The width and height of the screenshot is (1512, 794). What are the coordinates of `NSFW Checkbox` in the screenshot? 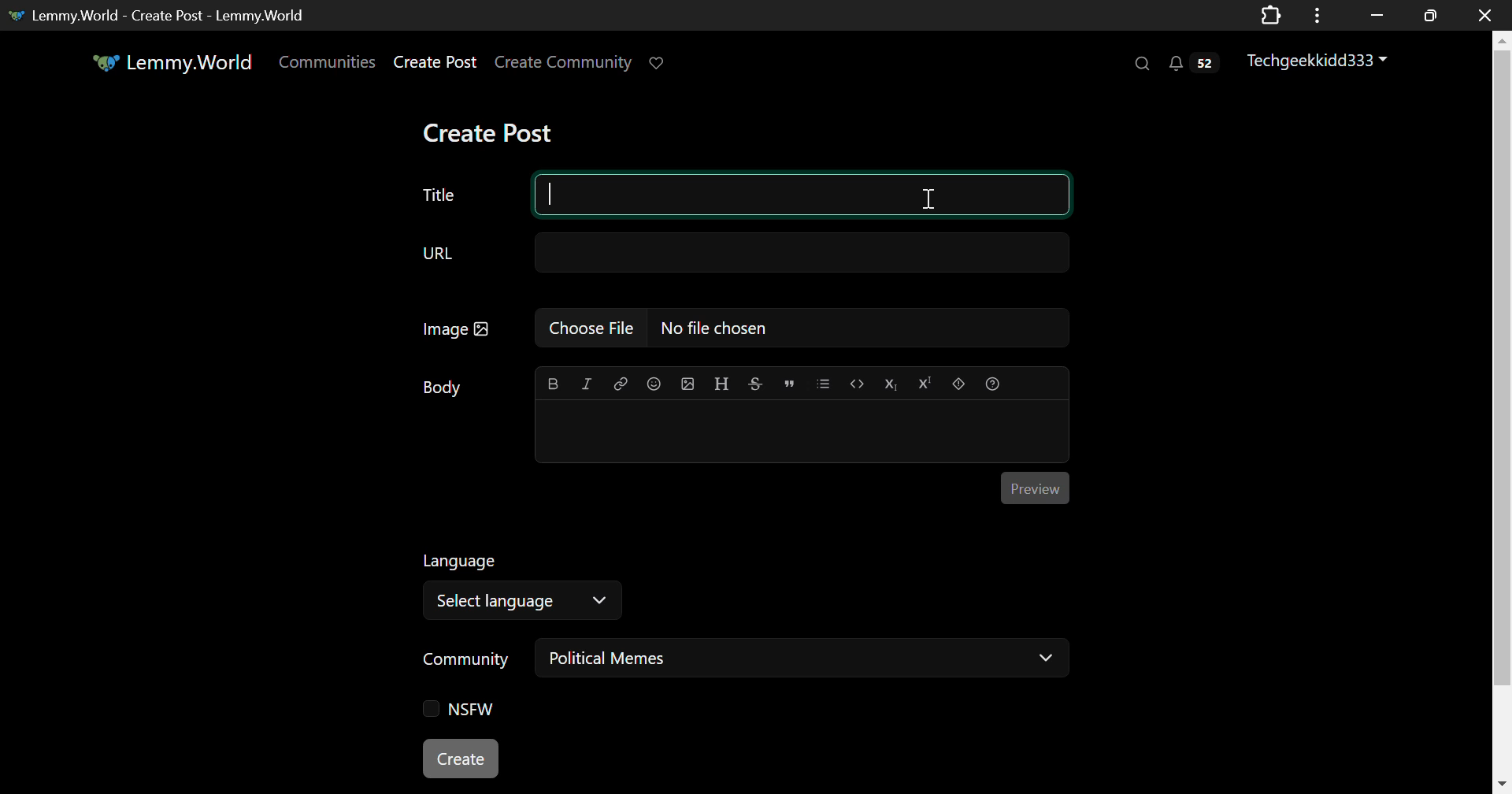 It's located at (454, 710).